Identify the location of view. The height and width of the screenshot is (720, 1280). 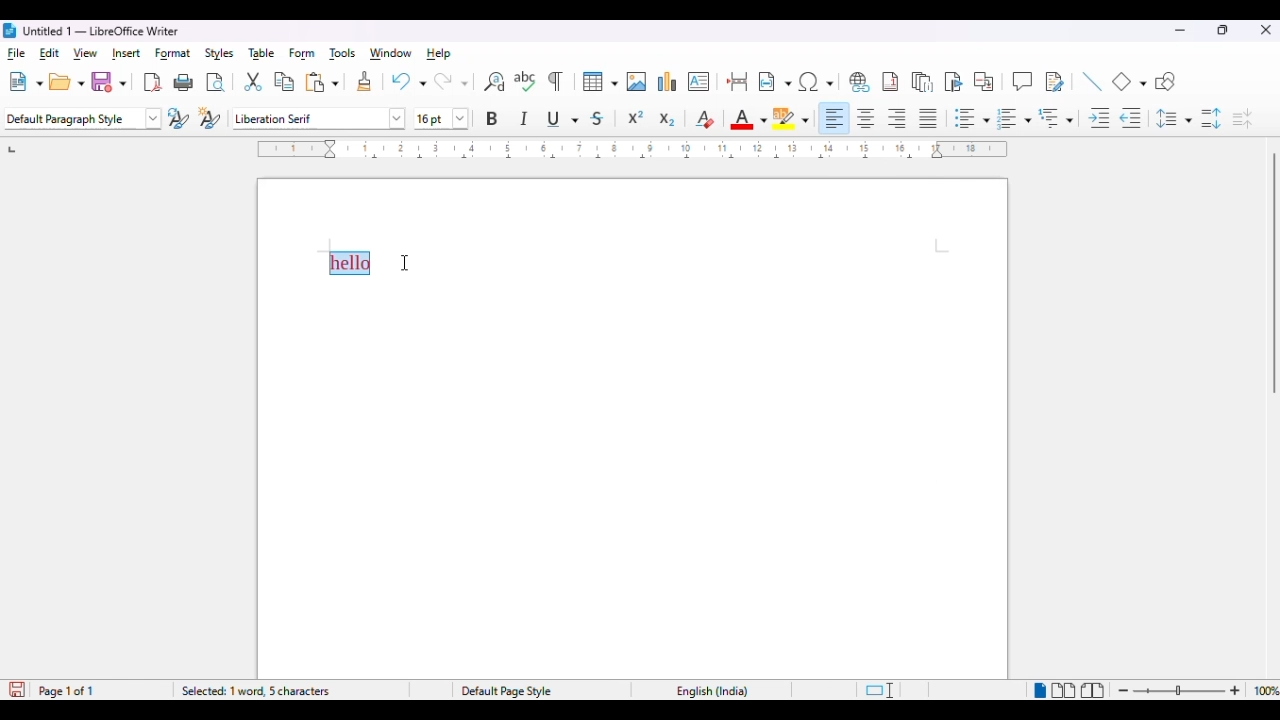
(86, 53).